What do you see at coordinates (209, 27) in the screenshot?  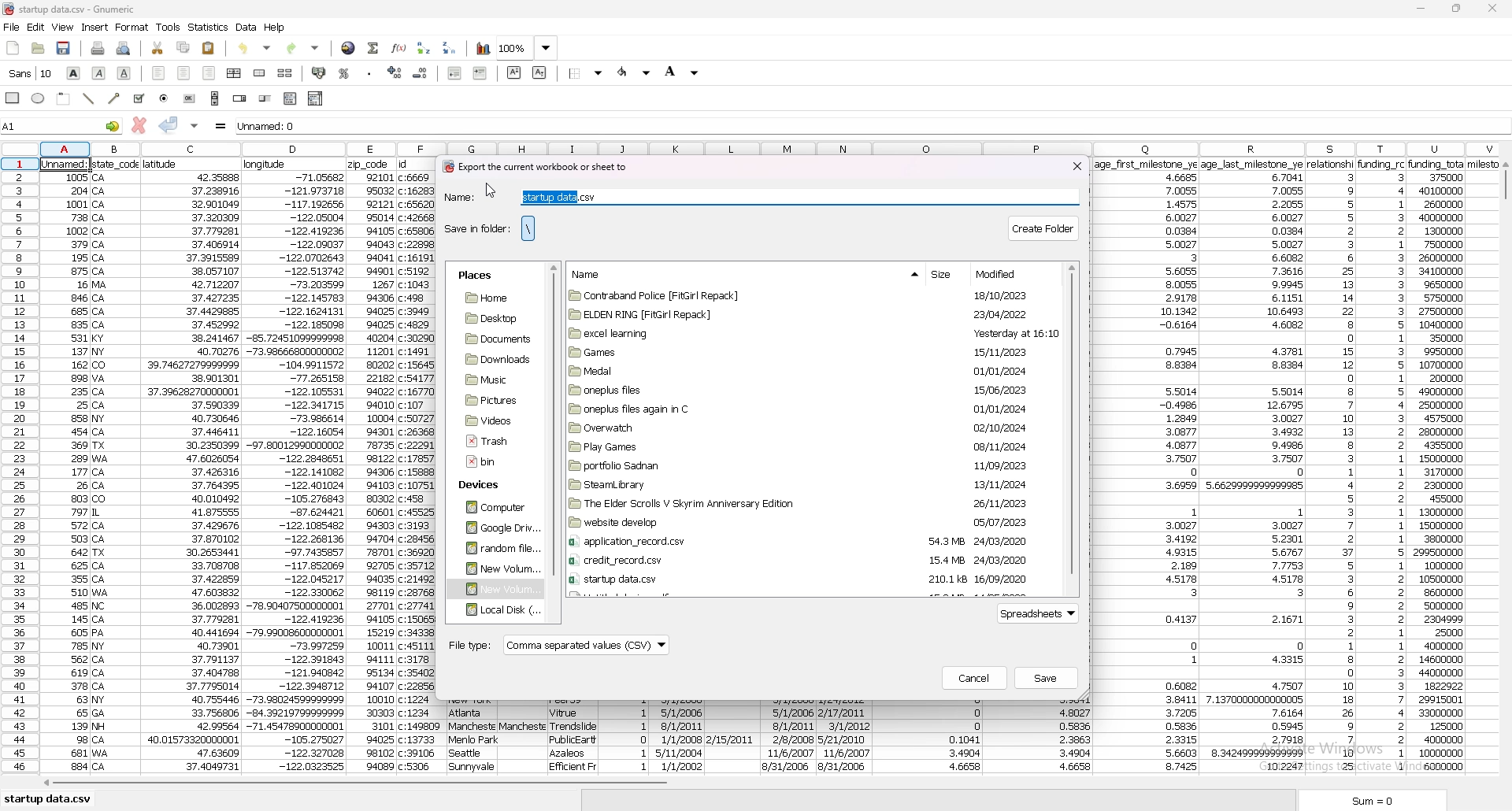 I see `STATISTICS` at bounding box center [209, 27].